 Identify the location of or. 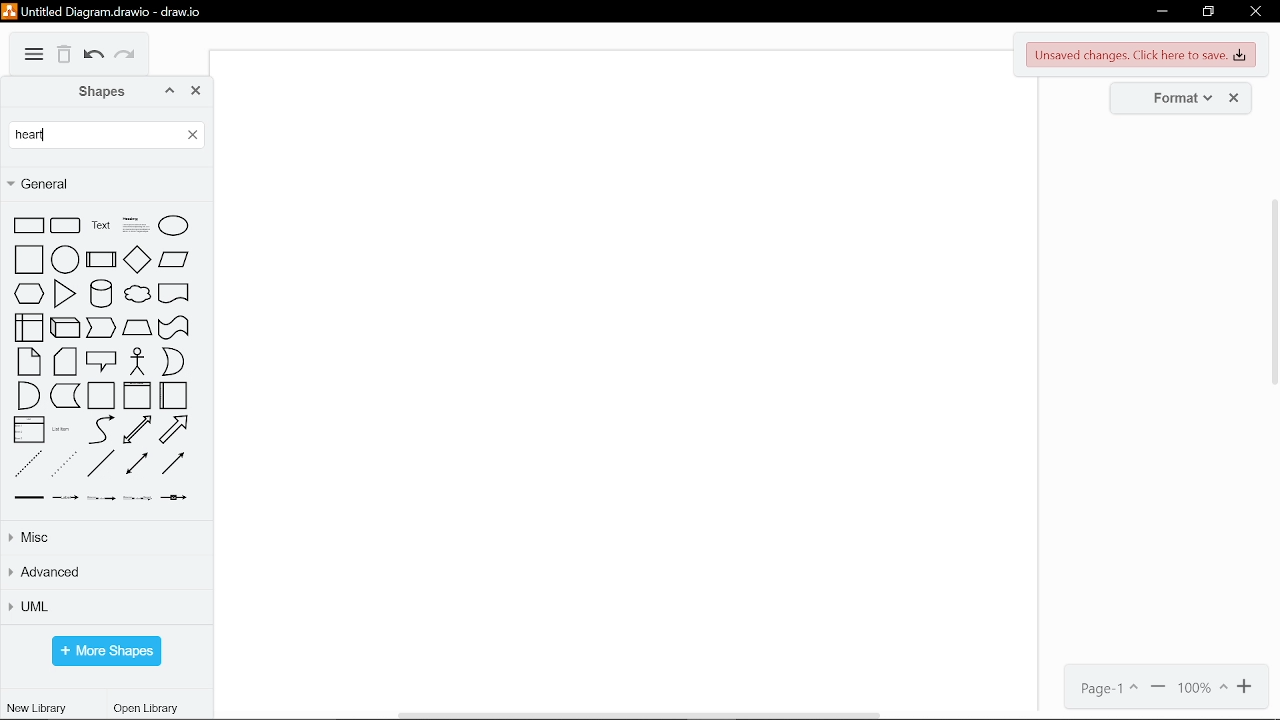
(173, 361).